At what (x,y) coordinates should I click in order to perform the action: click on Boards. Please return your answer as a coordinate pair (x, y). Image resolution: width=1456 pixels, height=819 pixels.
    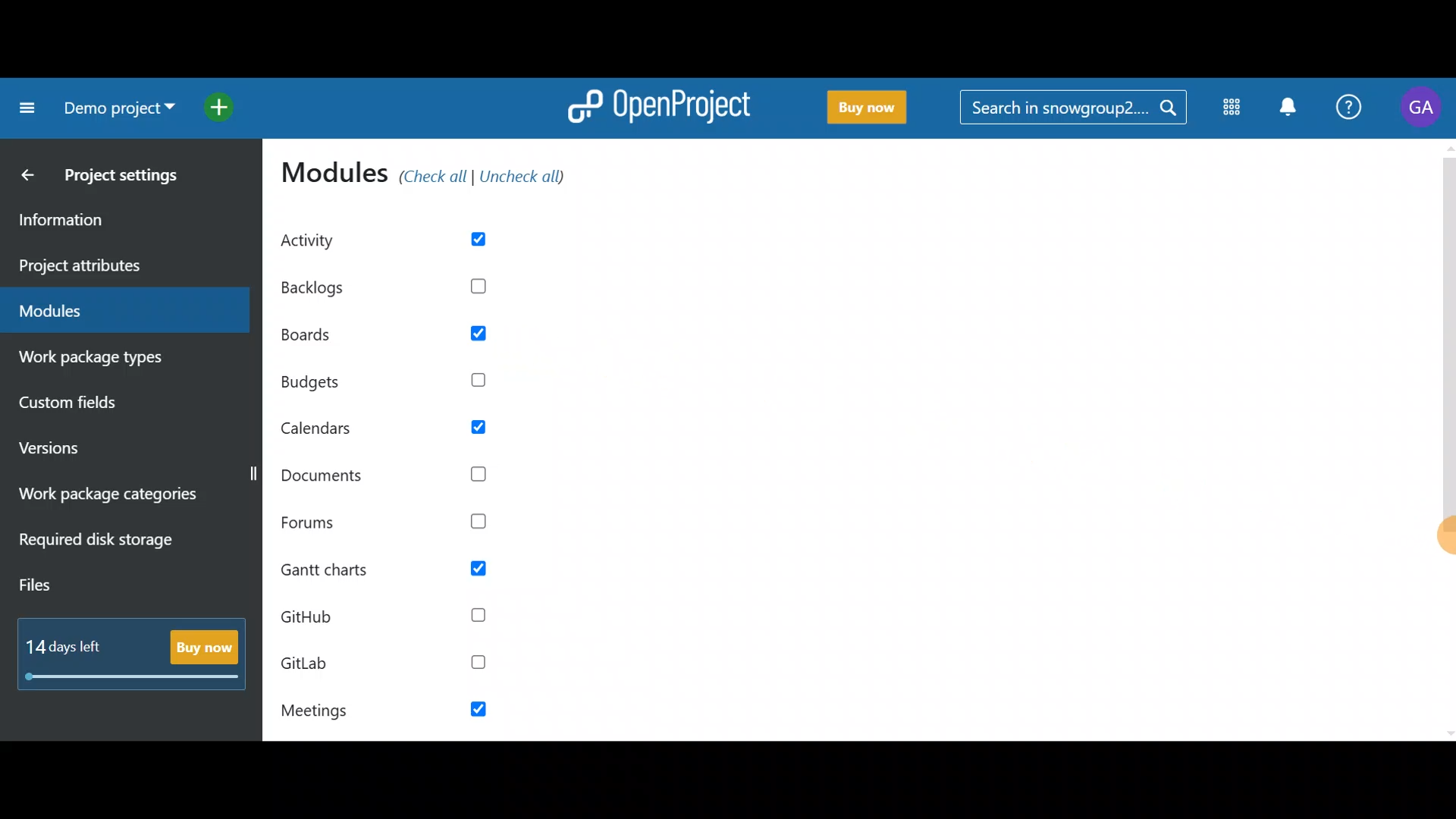
    Looking at the image, I should click on (396, 337).